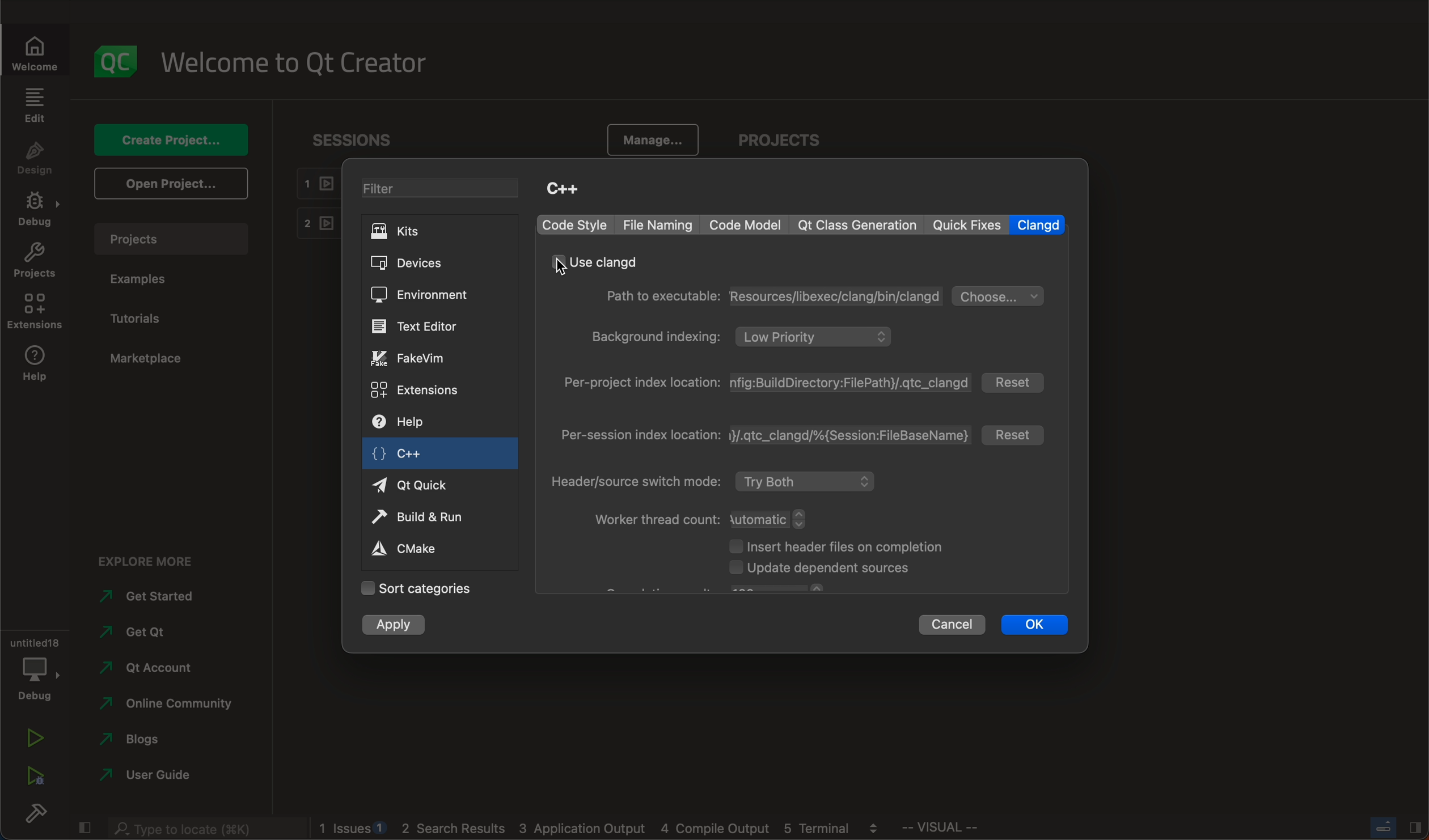 The height and width of the screenshot is (840, 1429). What do you see at coordinates (164, 359) in the screenshot?
I see `marketplace` at bounding box center [164, 359].